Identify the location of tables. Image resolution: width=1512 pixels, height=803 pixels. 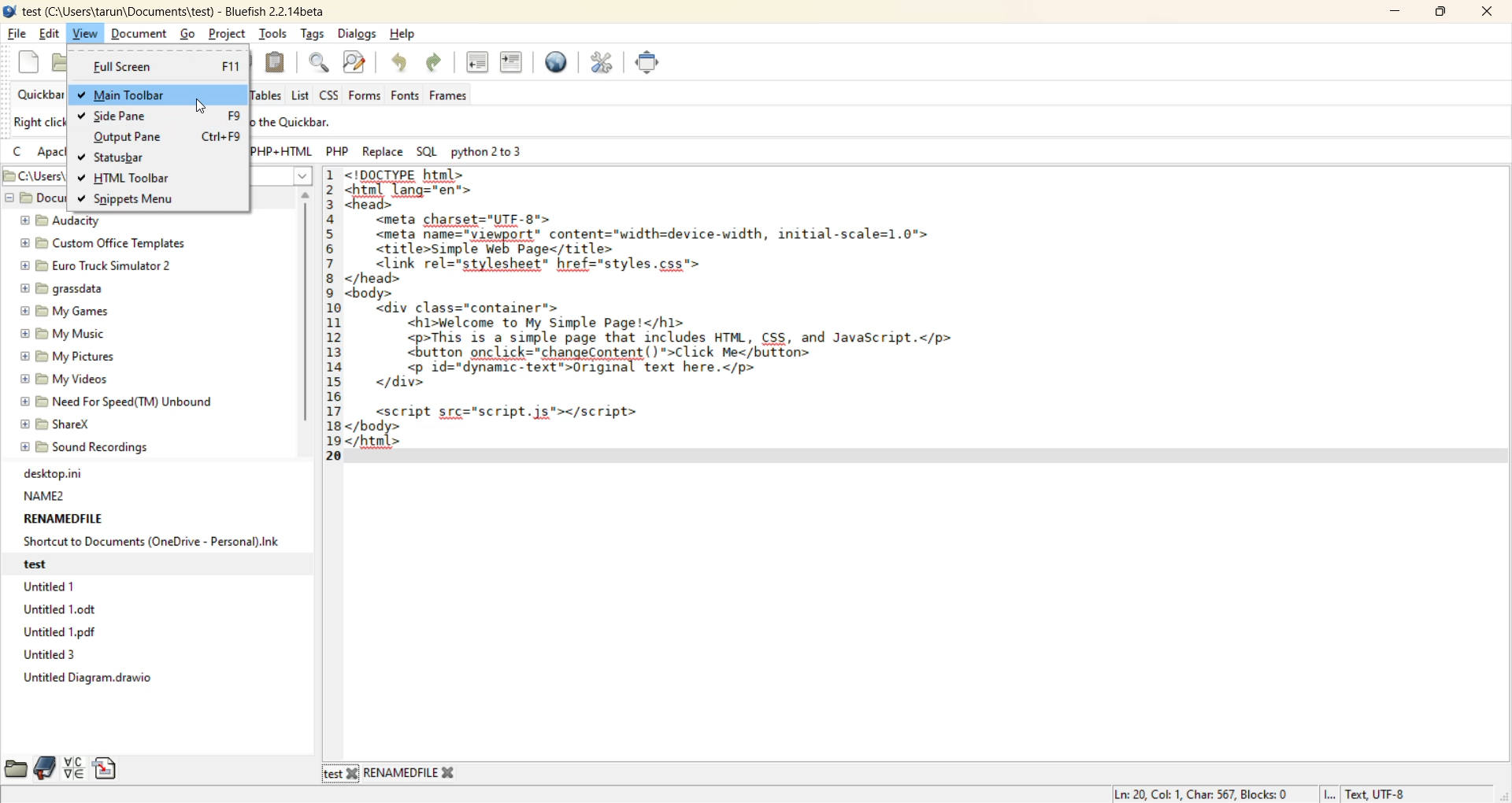
(267, 94).